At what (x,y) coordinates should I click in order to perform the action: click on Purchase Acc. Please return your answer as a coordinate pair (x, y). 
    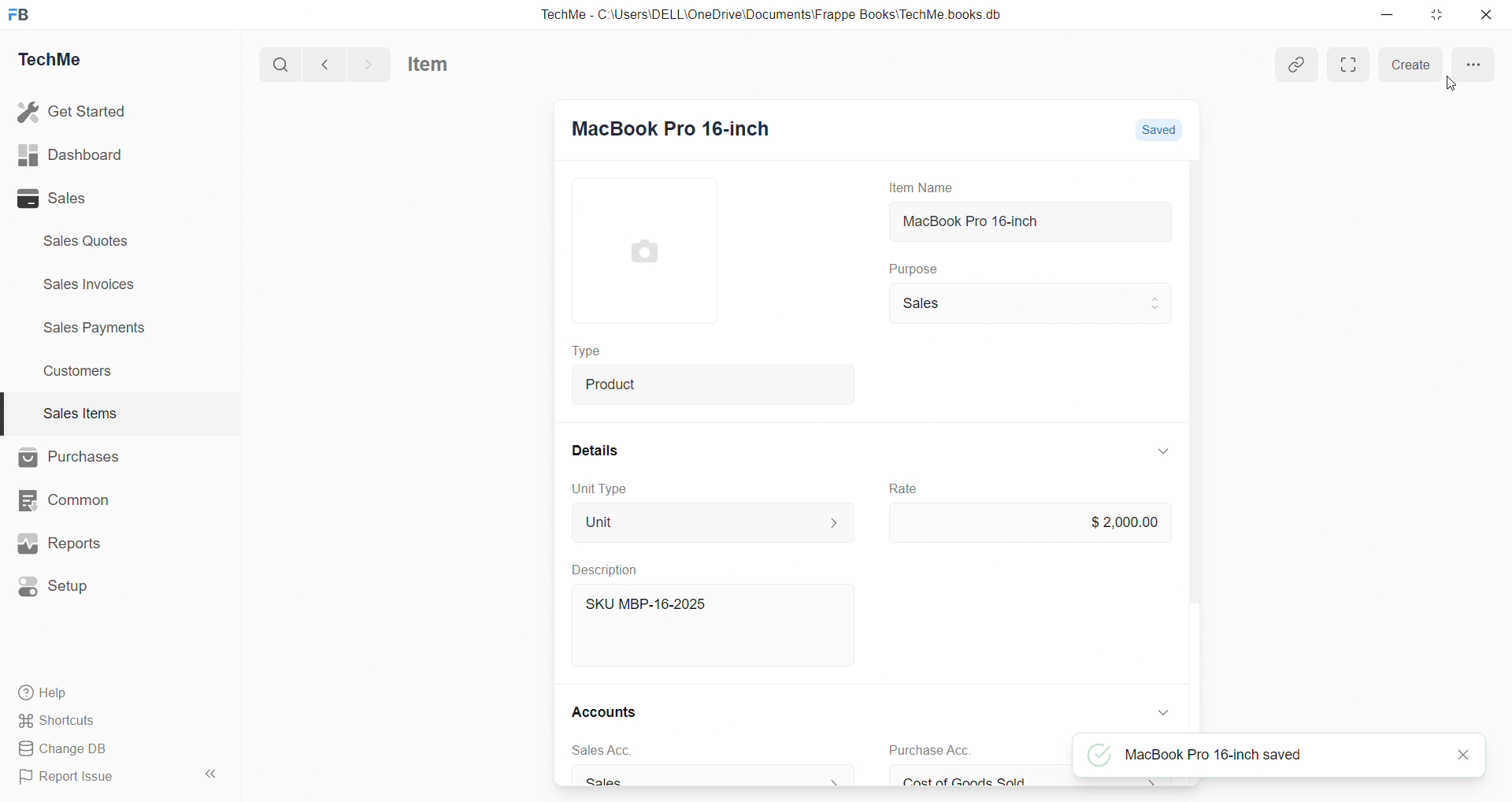
    Looking at the image, I should click on (930, 751).